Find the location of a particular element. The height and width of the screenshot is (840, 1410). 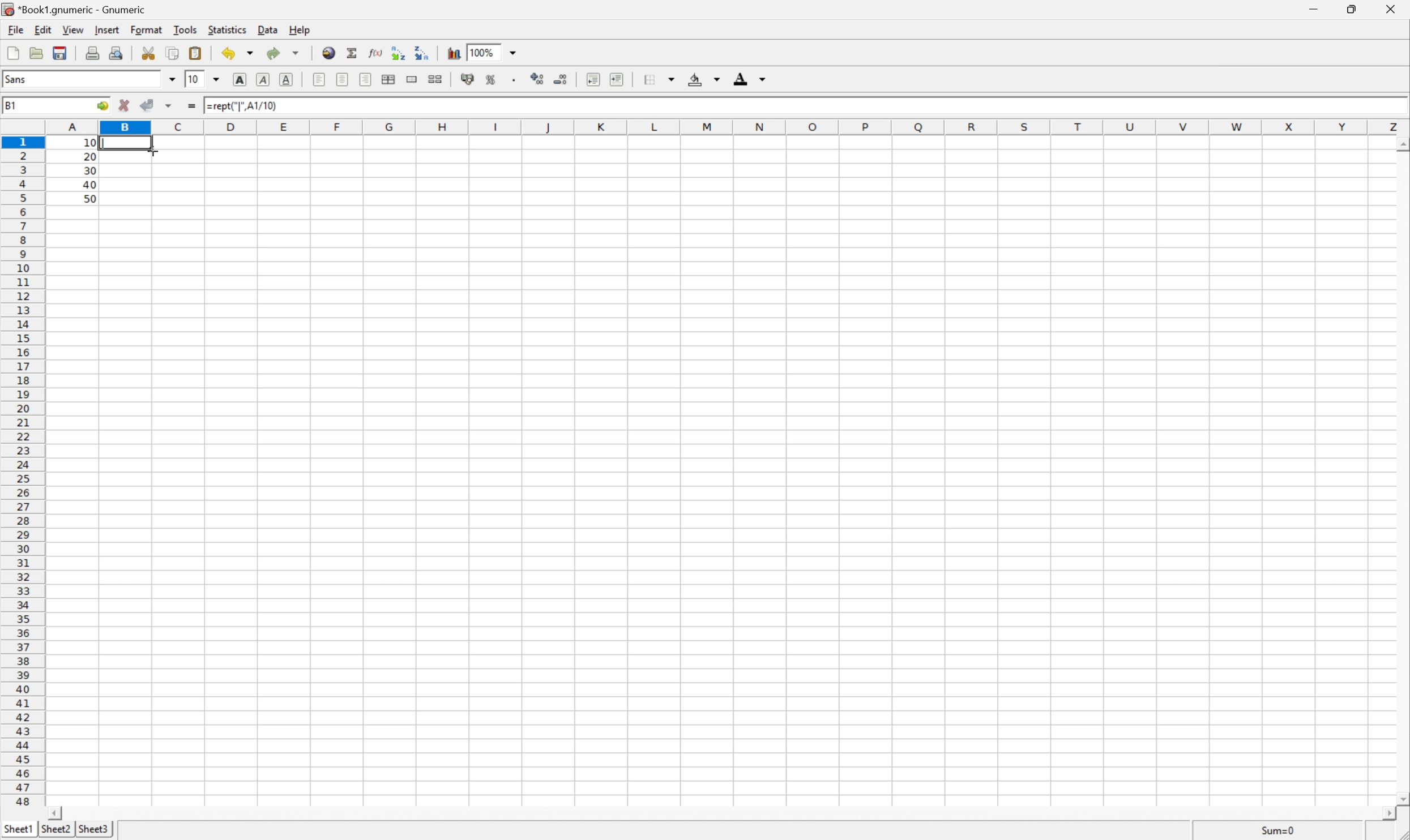

Sheet1 is located at coordinates (19, 829).